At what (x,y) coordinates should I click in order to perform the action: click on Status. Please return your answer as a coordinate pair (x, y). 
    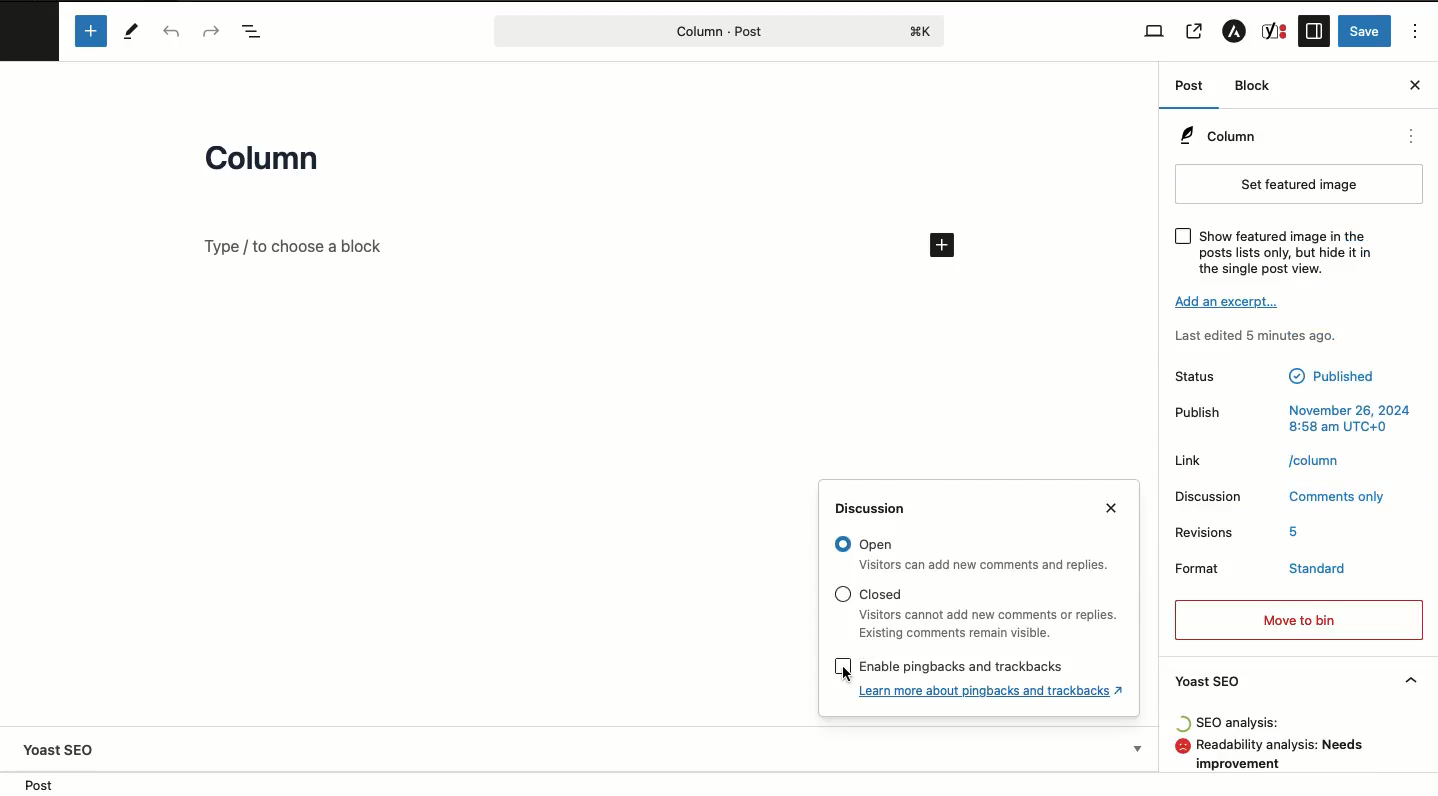
    Looking at the image, I should click on (1202, 375).